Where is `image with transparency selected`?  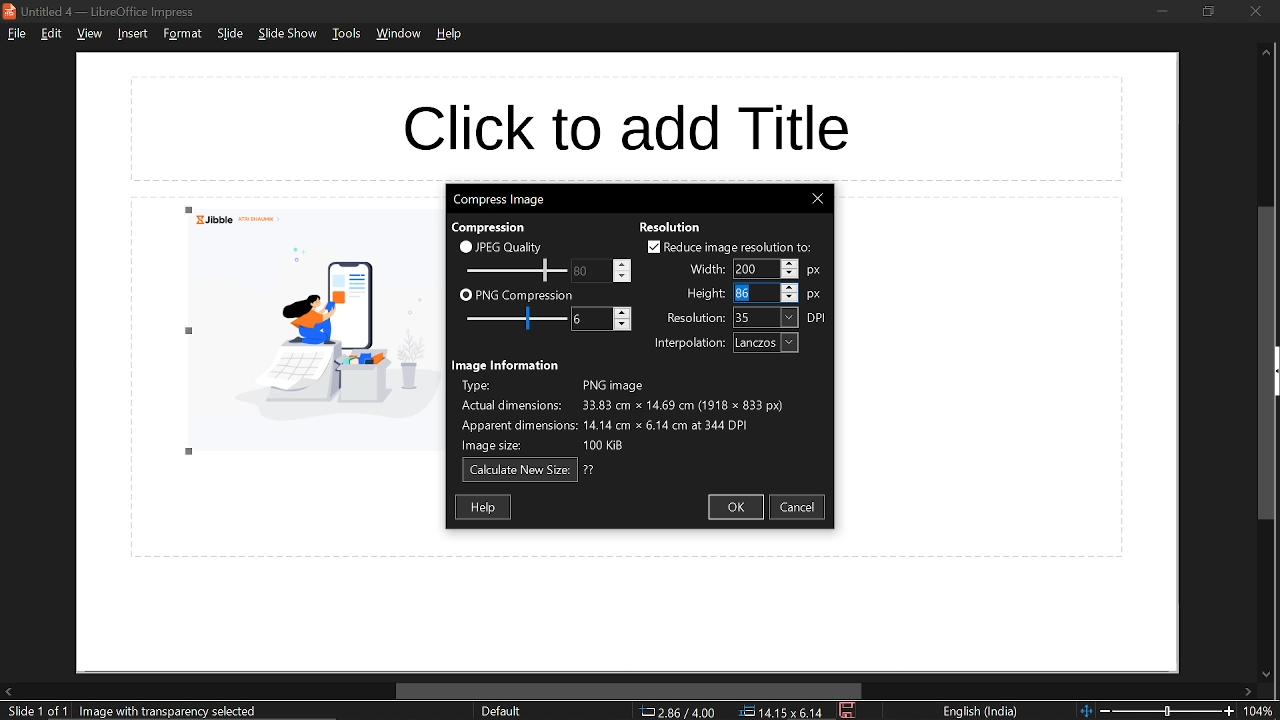 image with transparency selected is located at coordinates (174, 711).